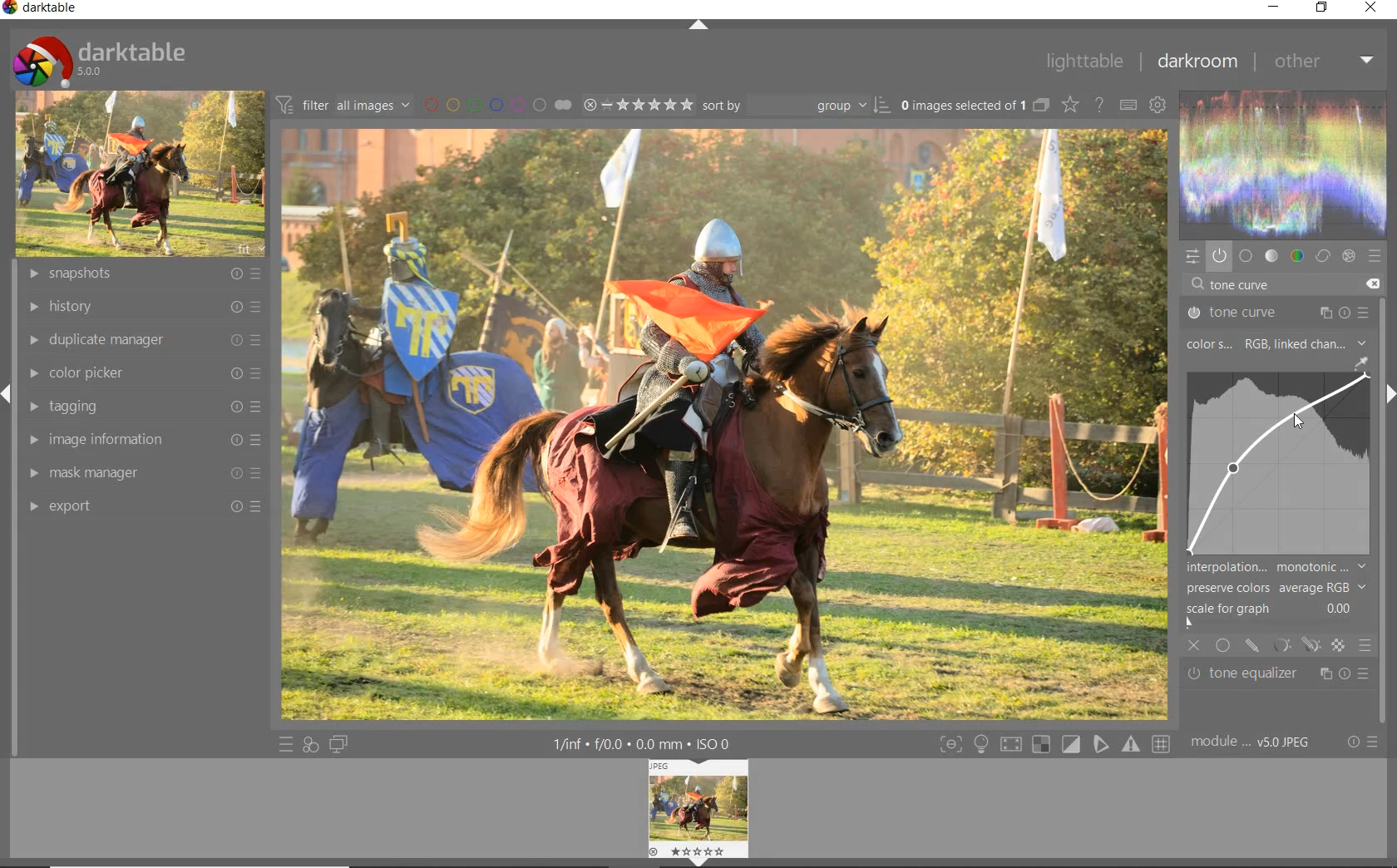  I want to click on tone curve, so click(1279, 462).